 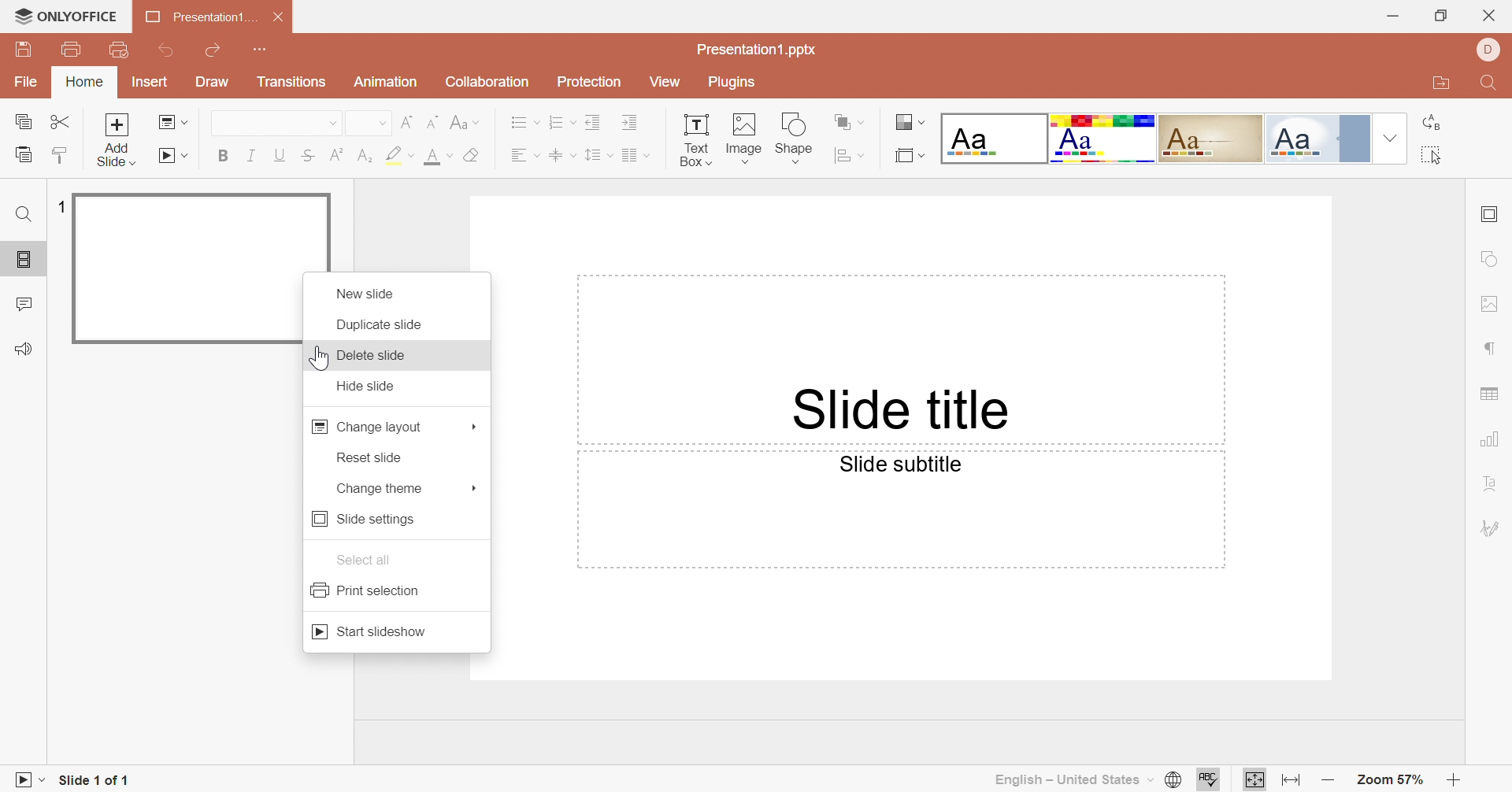 What do you see at coordinates (1176, 779) in the screenshot?
I see `Set document language` at bounding box center [1176, 779].